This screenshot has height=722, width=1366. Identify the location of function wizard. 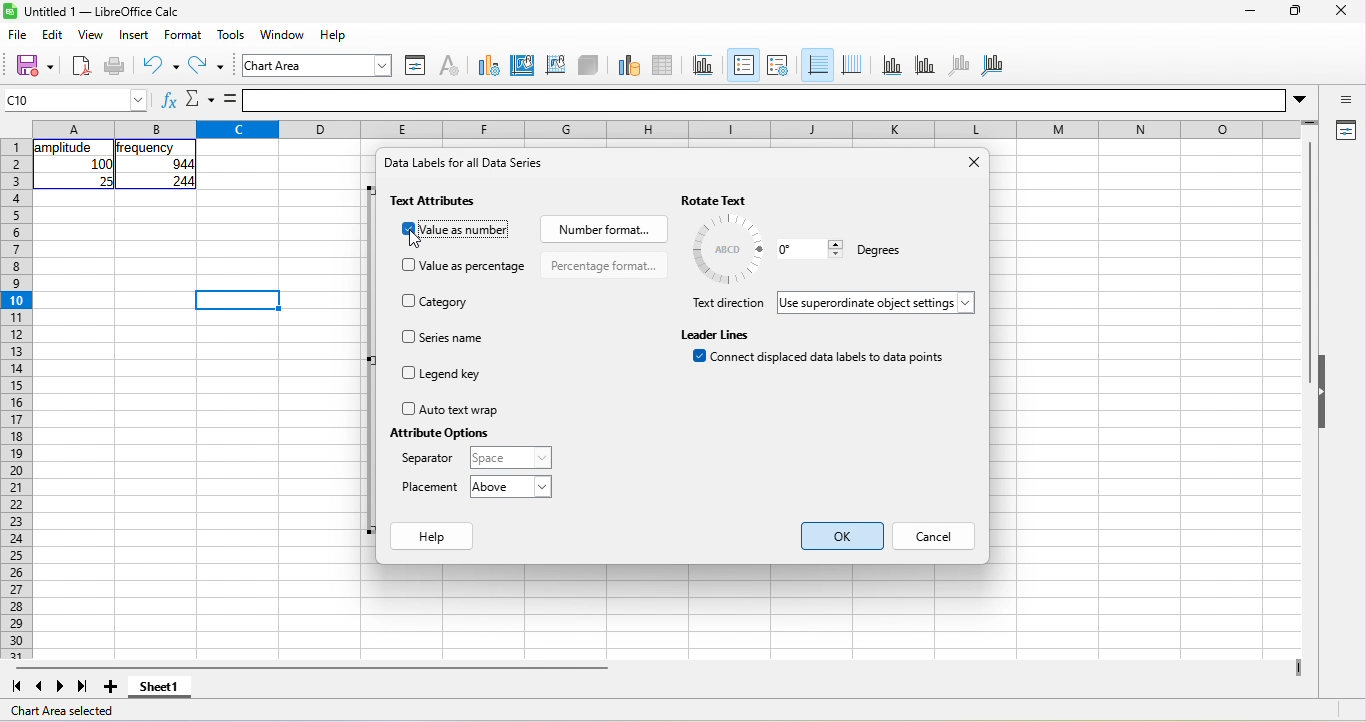
(167, 103).